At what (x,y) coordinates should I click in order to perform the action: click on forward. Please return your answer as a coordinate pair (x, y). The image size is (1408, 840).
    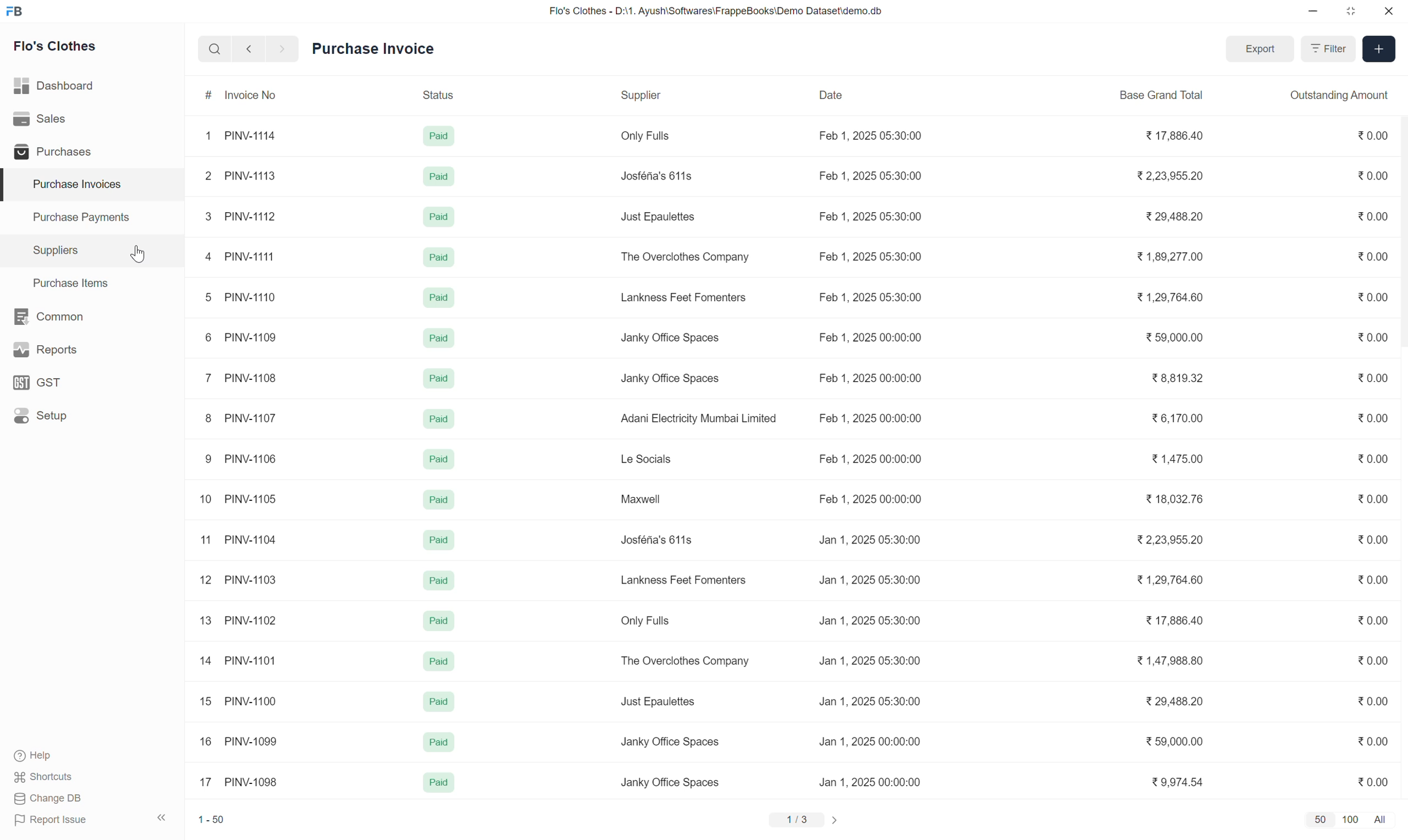
    Looking at the image, I should click on (283, 49).